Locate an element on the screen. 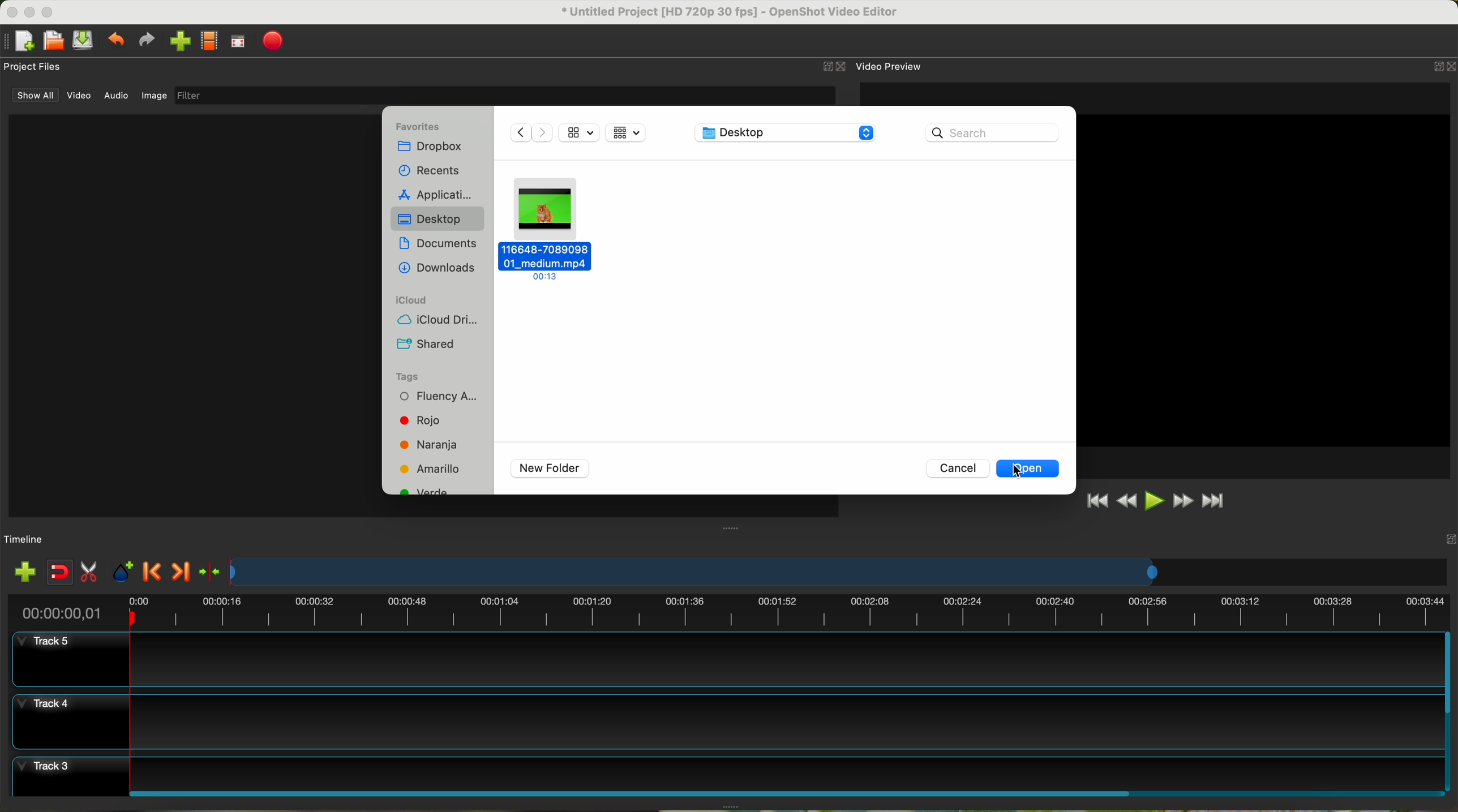 The height and width of the screenshot is (812, 1458). video selected is located at coordinates (547, 229).